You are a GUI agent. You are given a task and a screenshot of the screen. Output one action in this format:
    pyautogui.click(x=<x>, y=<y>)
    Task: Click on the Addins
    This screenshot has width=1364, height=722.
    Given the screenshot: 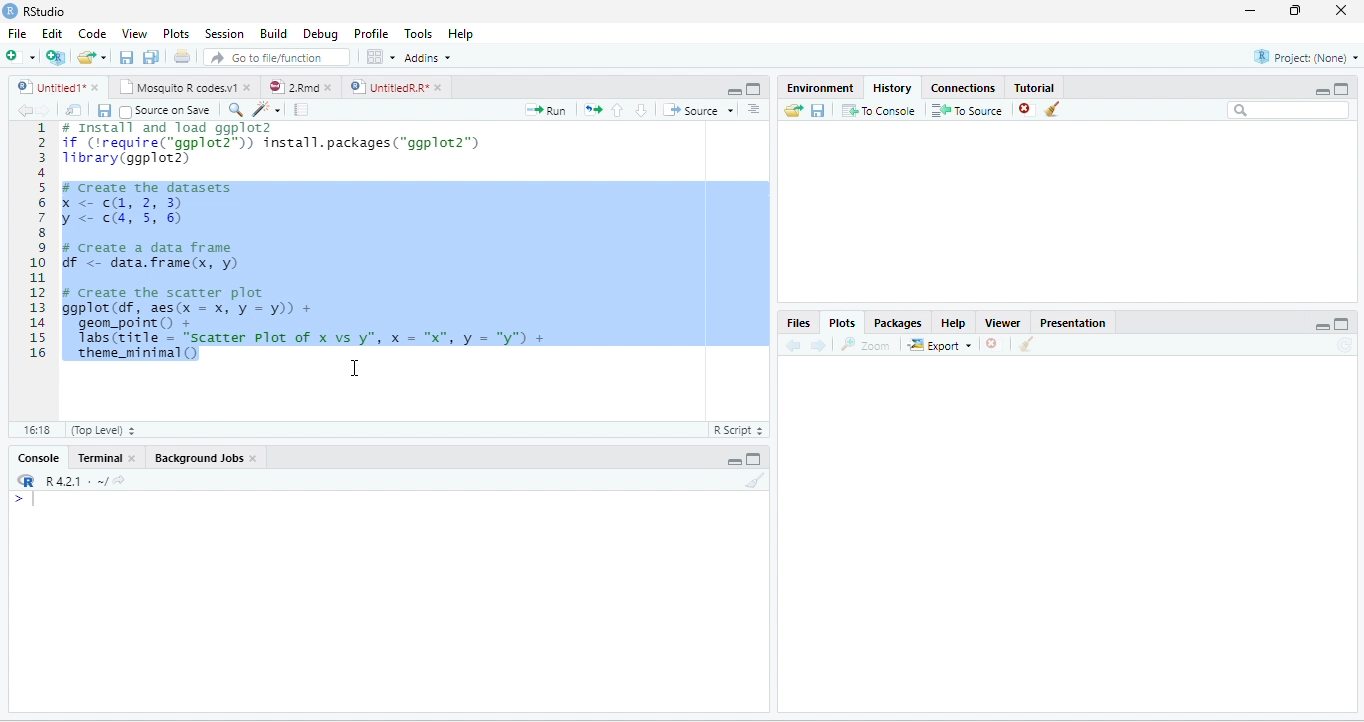 What is the action you would take?
    pyautogui.click(x=426, y=57)
    